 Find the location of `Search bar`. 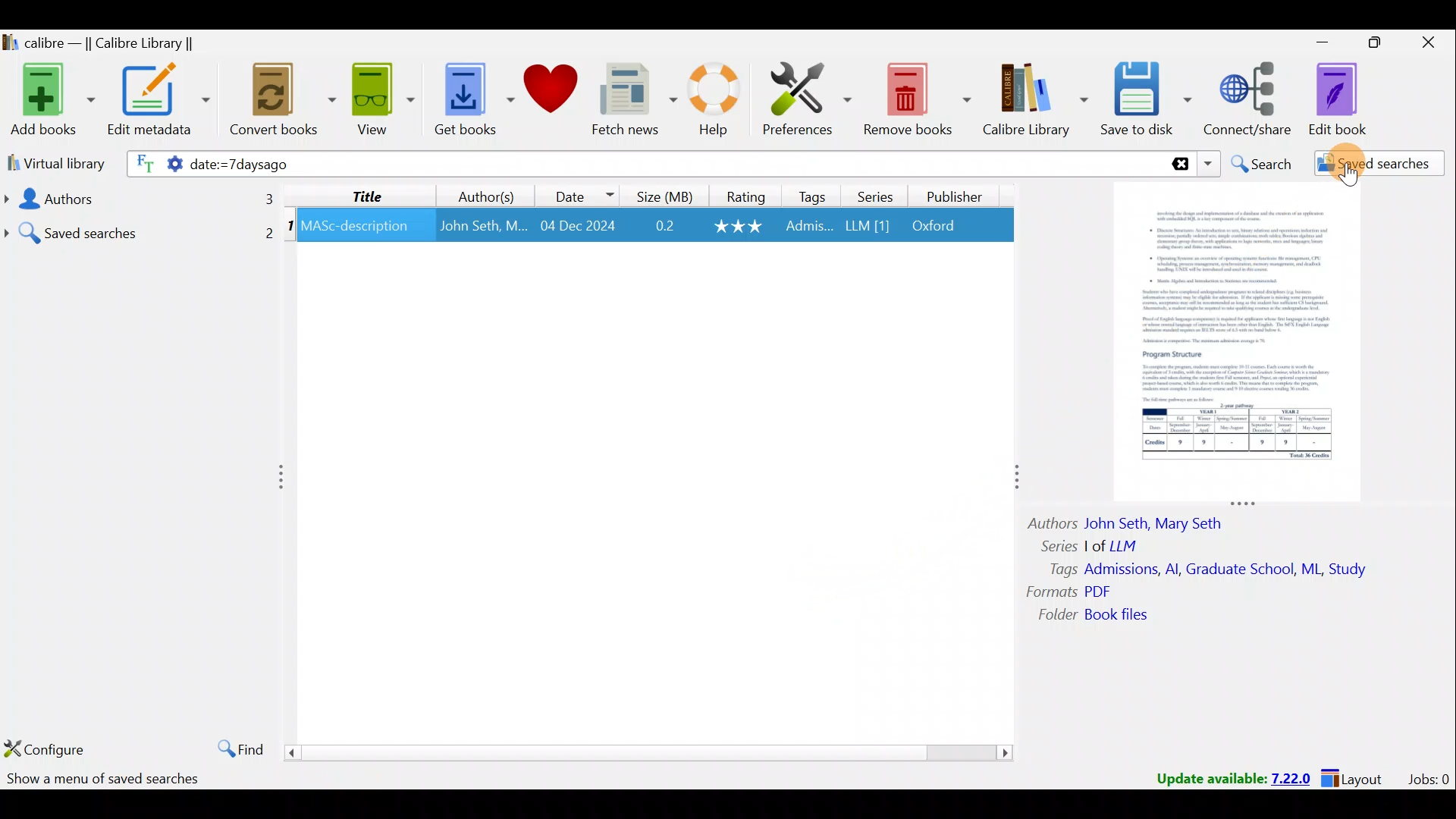

Search bar is located at coordinates (883, 163).